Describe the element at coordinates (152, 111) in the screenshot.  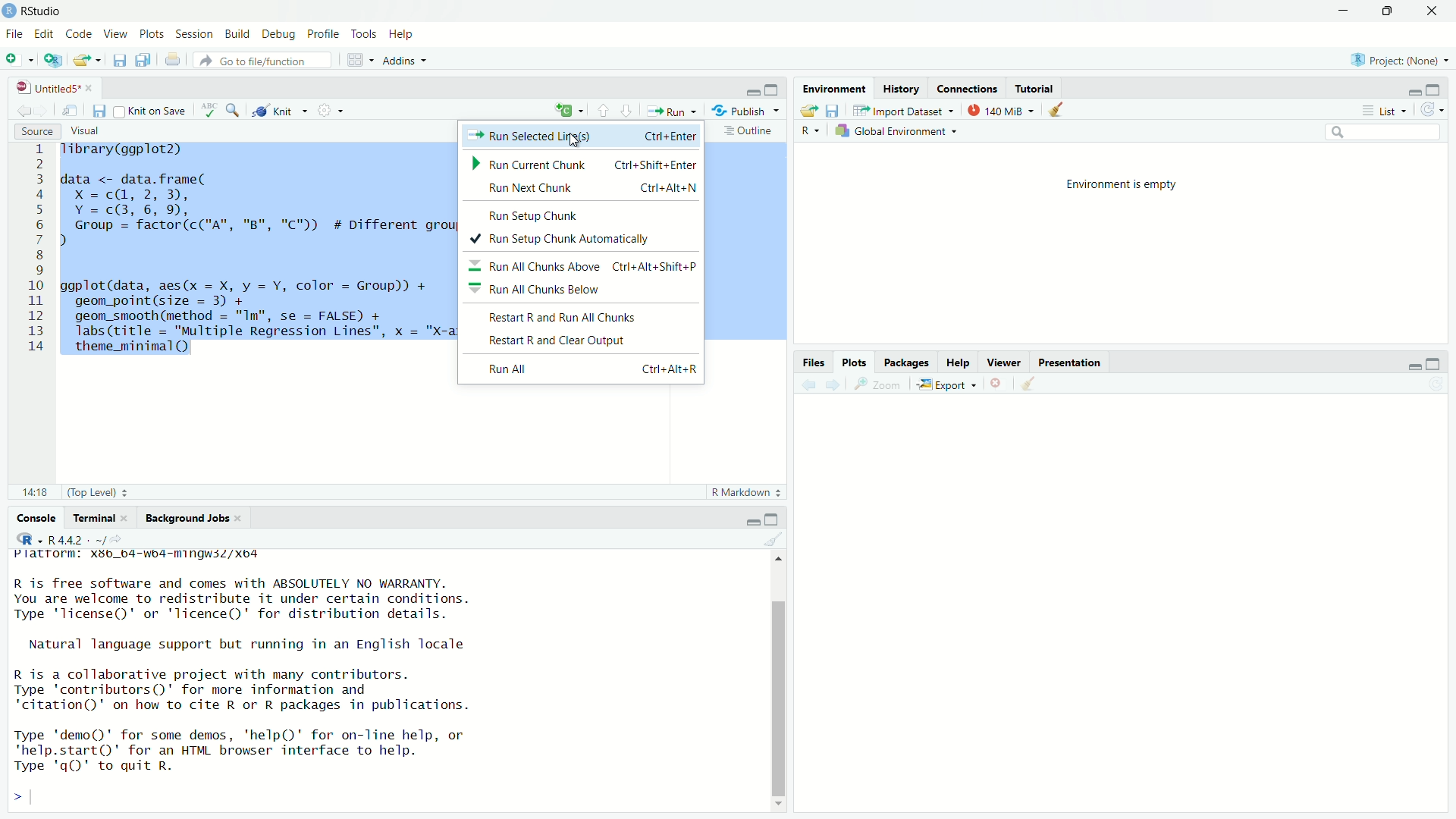
I see `Knit on Save` at that location.